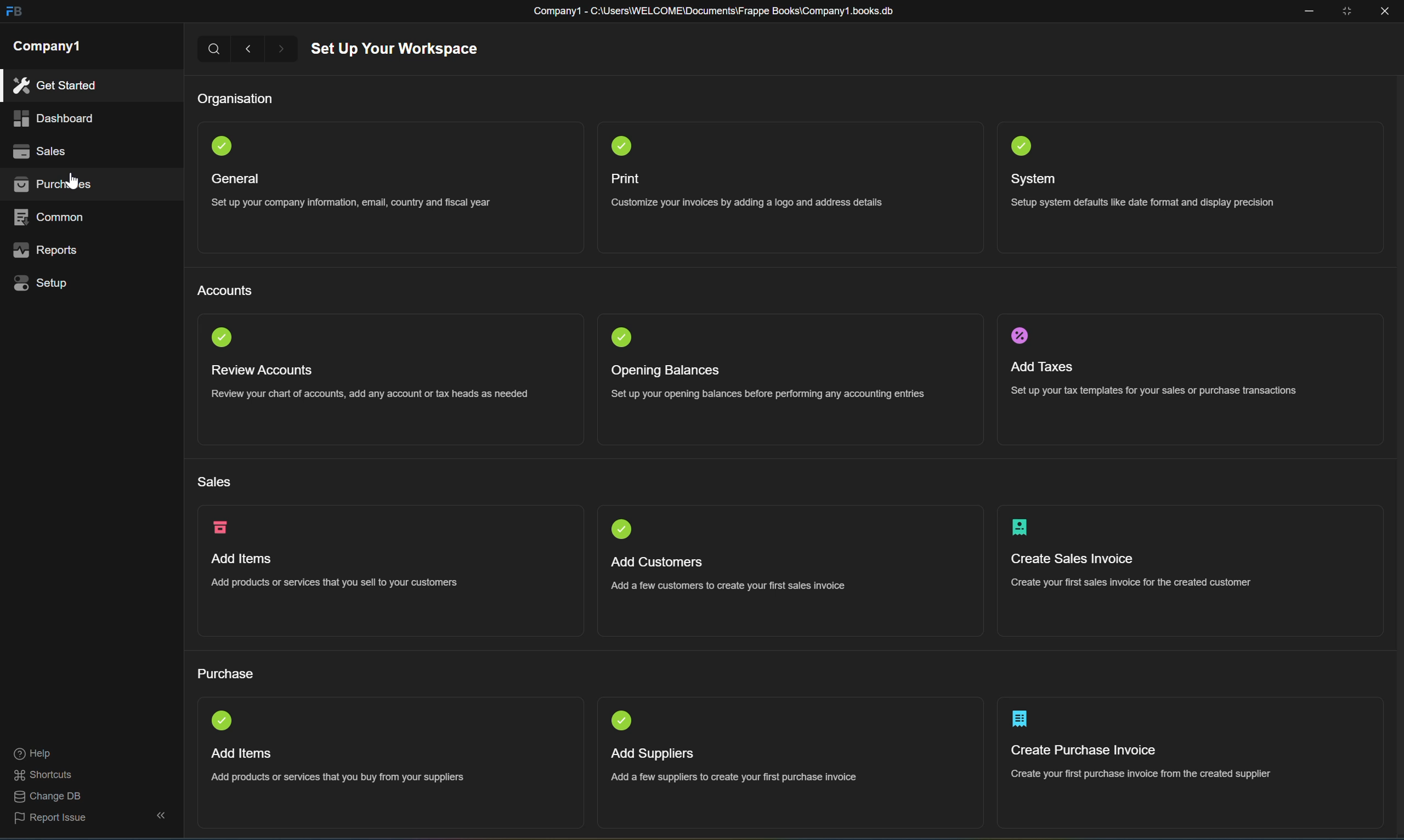 This screenshot has height=840, width=1404. I want to click on opening, so click(623, 339).